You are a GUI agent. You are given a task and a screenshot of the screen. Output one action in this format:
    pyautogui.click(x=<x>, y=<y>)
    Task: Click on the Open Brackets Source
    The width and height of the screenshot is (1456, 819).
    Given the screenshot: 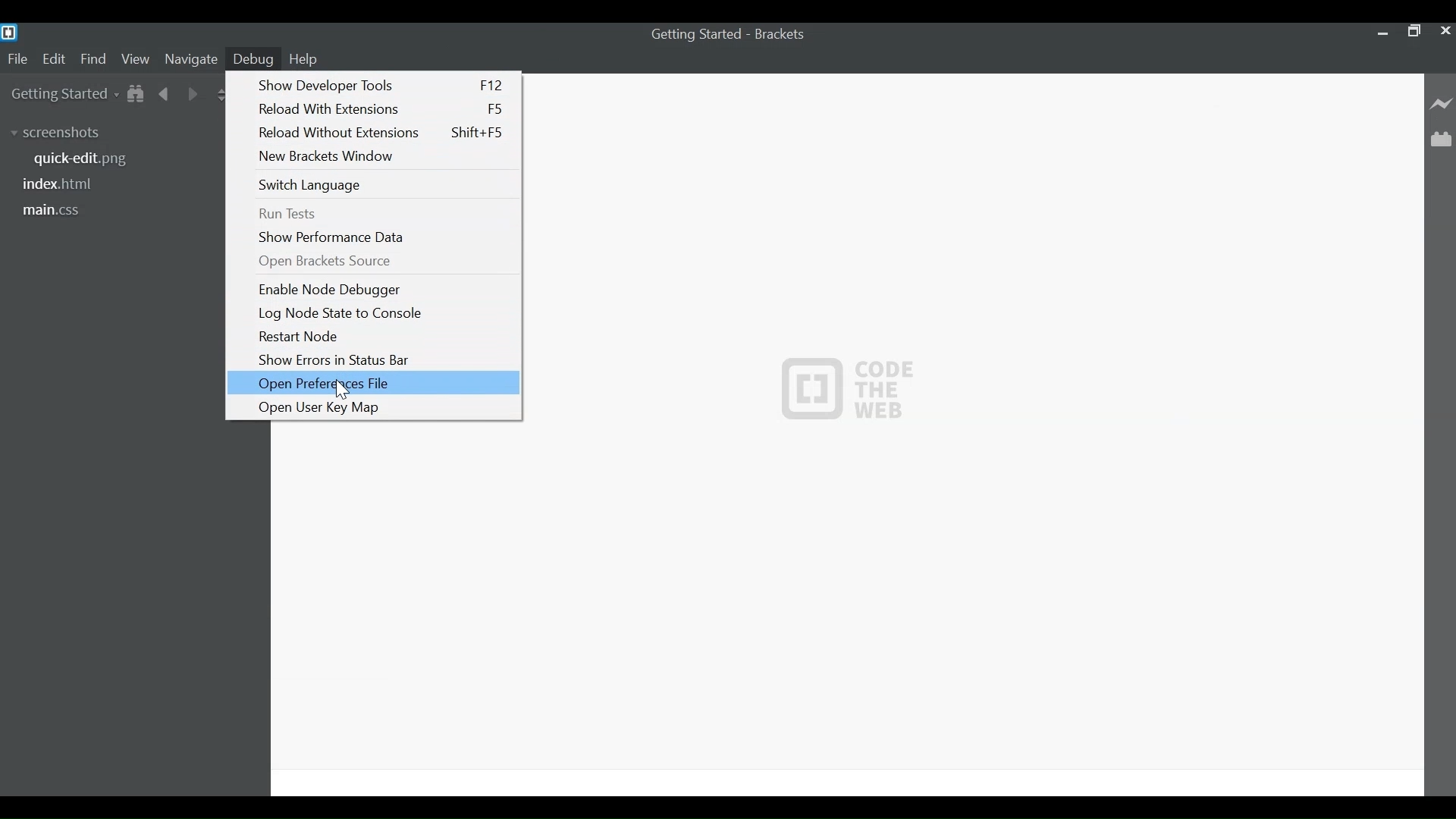 What is the action you would take?
    pyautogui.click(x=384, y=261)
    